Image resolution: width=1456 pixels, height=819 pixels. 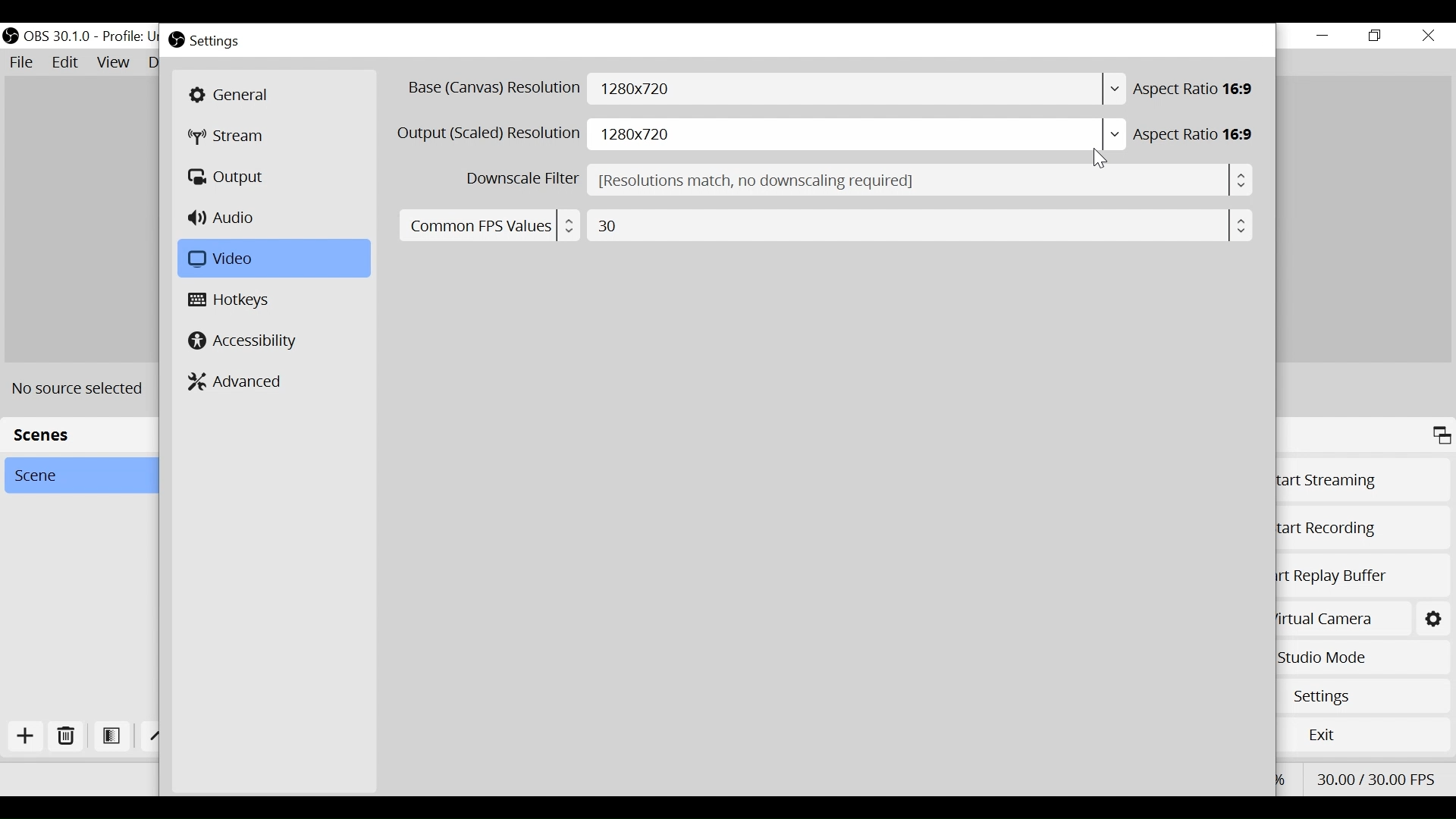 What do you see at coordinates (1376, 36) in the screenshot?
I see `Restore` at bounding box center [1376, 36].